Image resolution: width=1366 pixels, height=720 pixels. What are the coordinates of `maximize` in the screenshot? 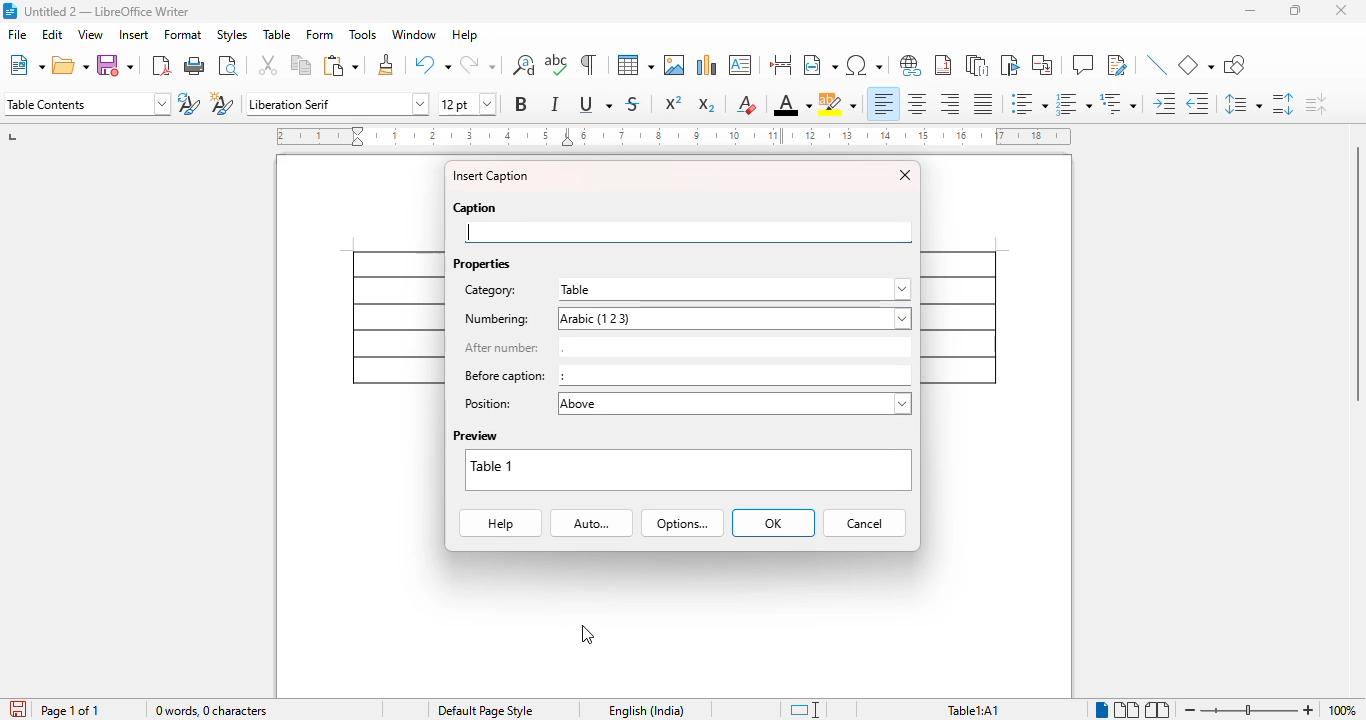 It's located at (1295, 10).